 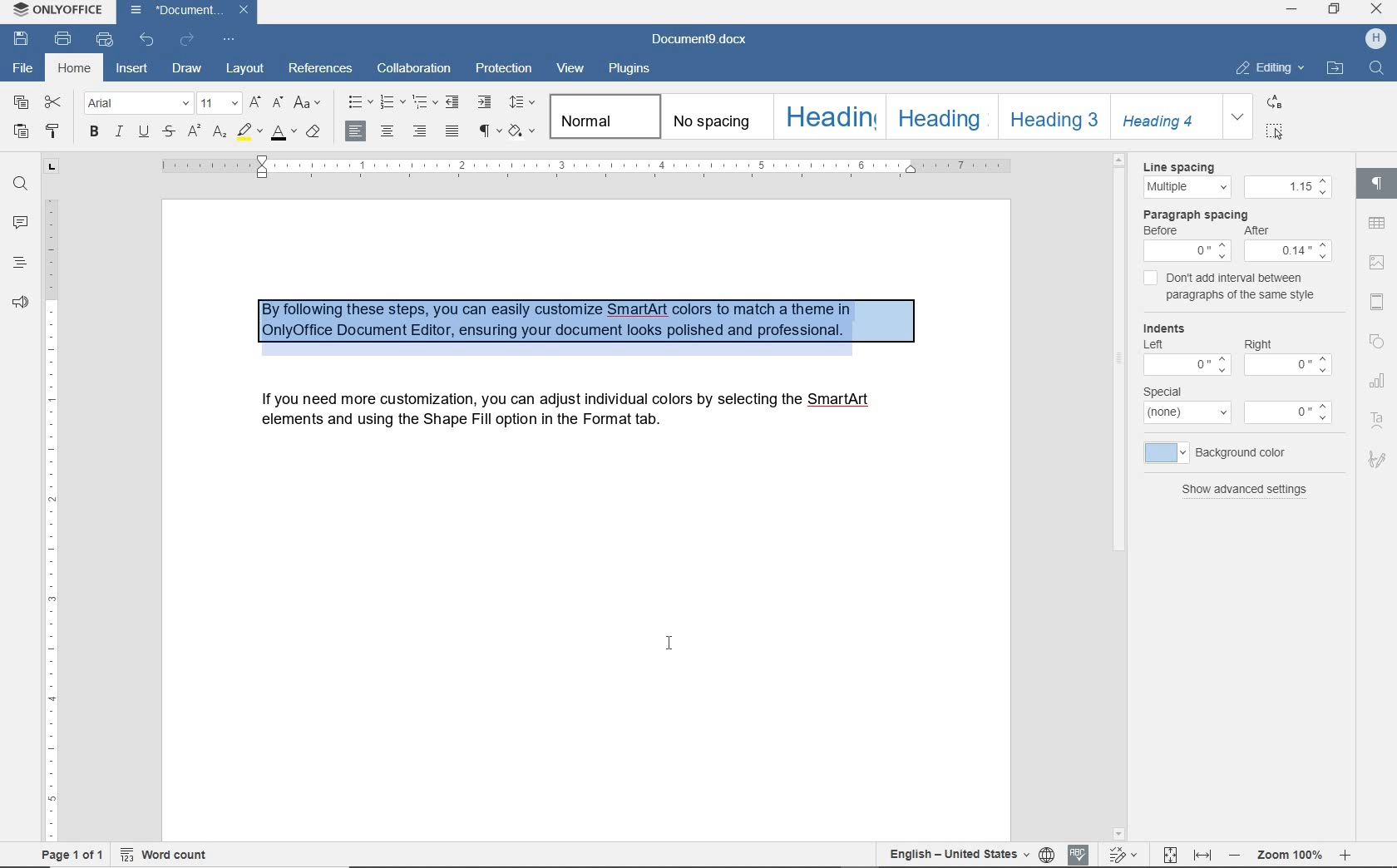 I want to click on background color, so click(x=1217, y=453).